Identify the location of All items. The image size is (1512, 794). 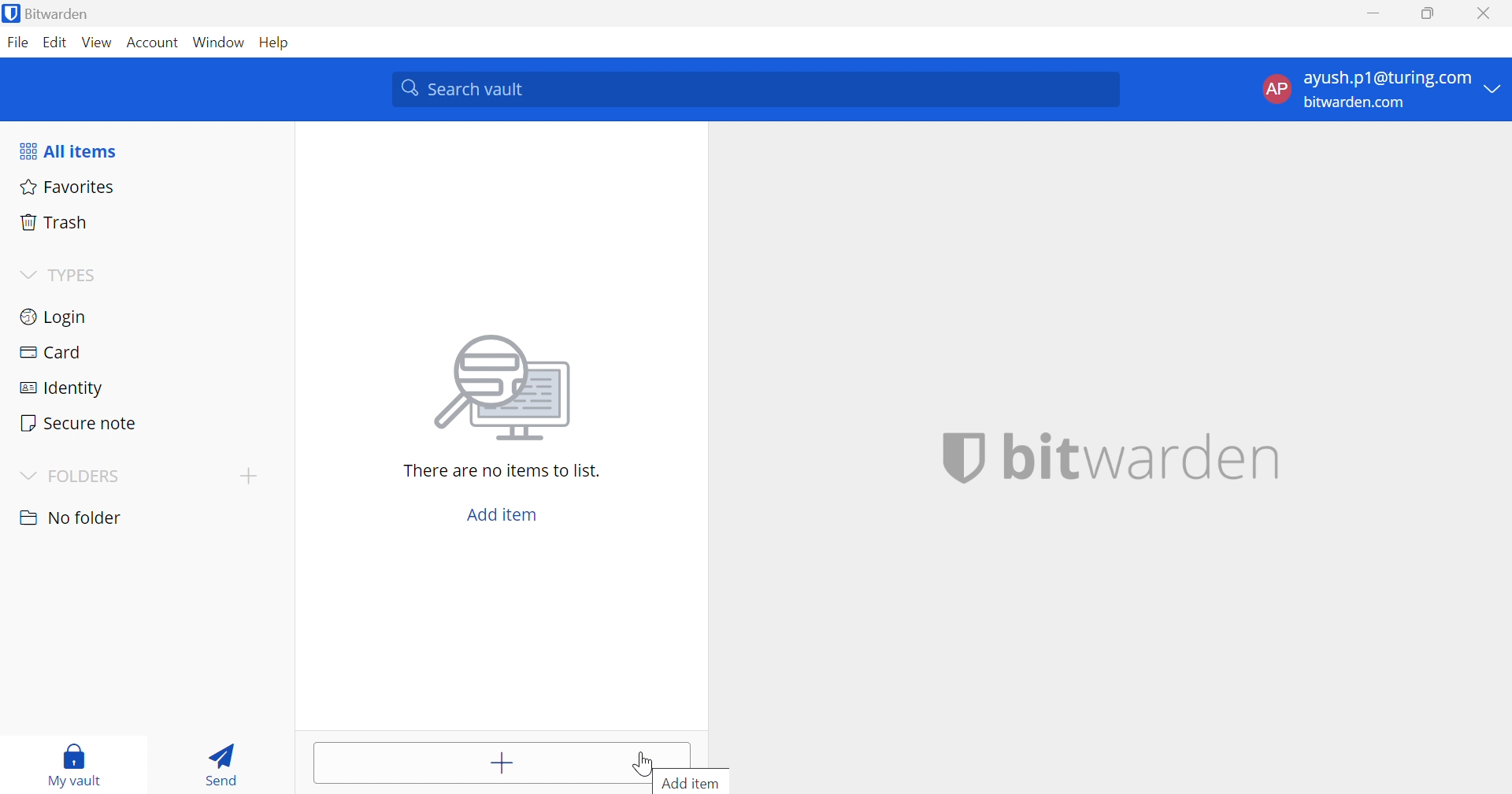
(70, 150).